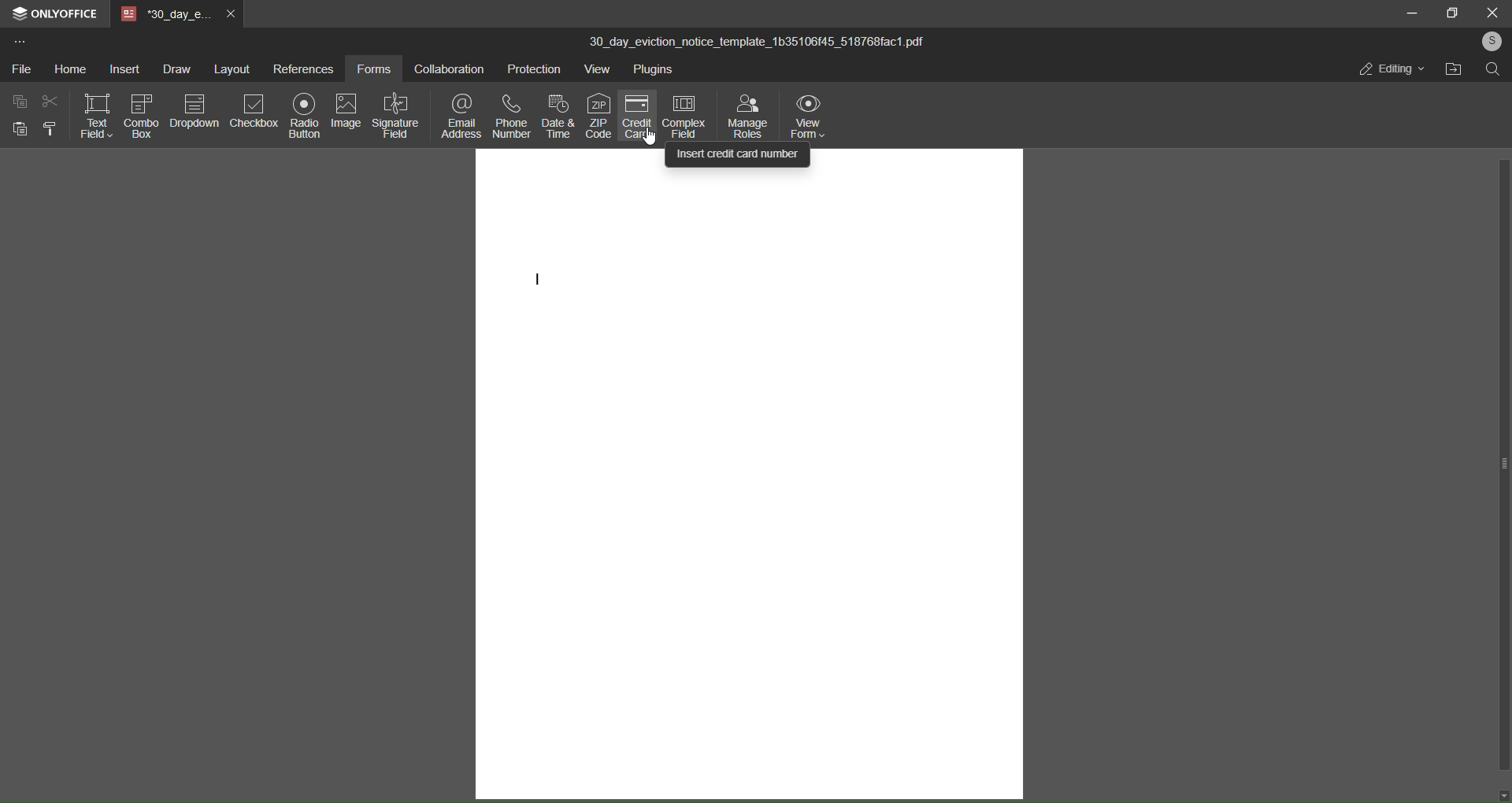 This screenshot has width=1512, height=803. Describe the element at coordinates (687, 115) in the screenshot. I see `complex field` at that location.